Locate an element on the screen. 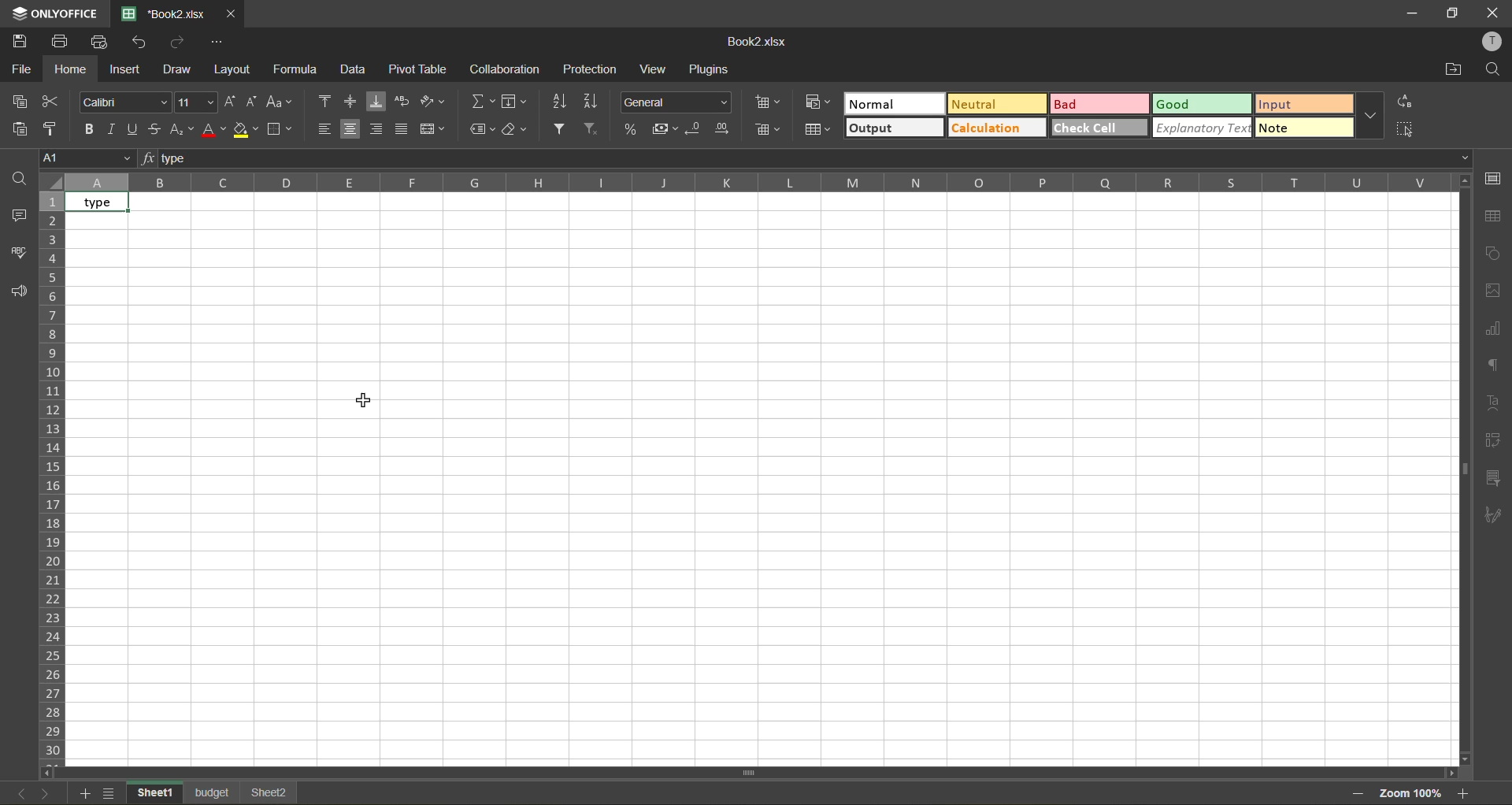  row numbers is located at coordinates (57, 479).